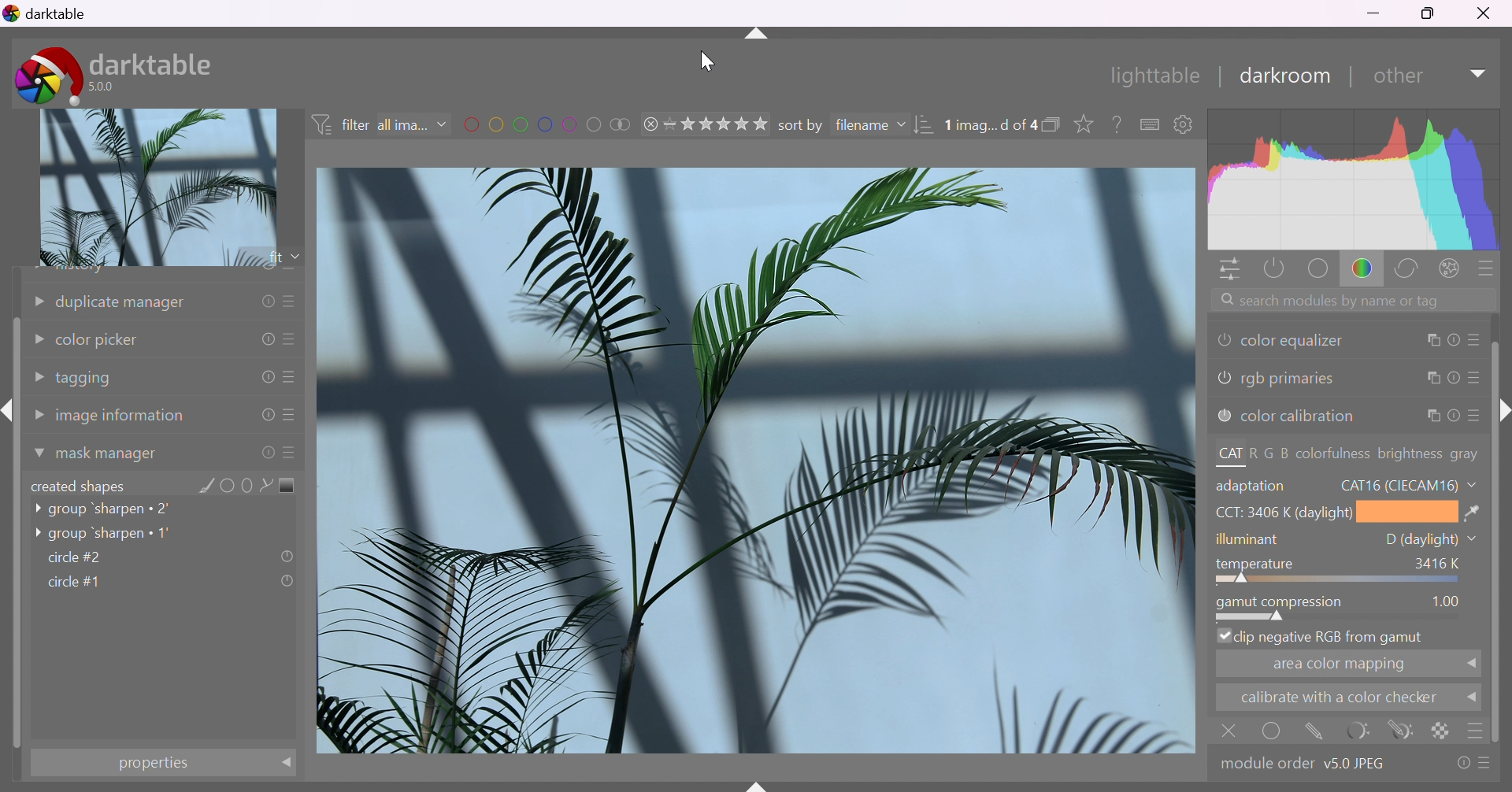 This screenshot has height=792, width=1512. Describe the element at coordinates (1333, 300) in the screenshot. I see `search modules by name or tag` at that location.